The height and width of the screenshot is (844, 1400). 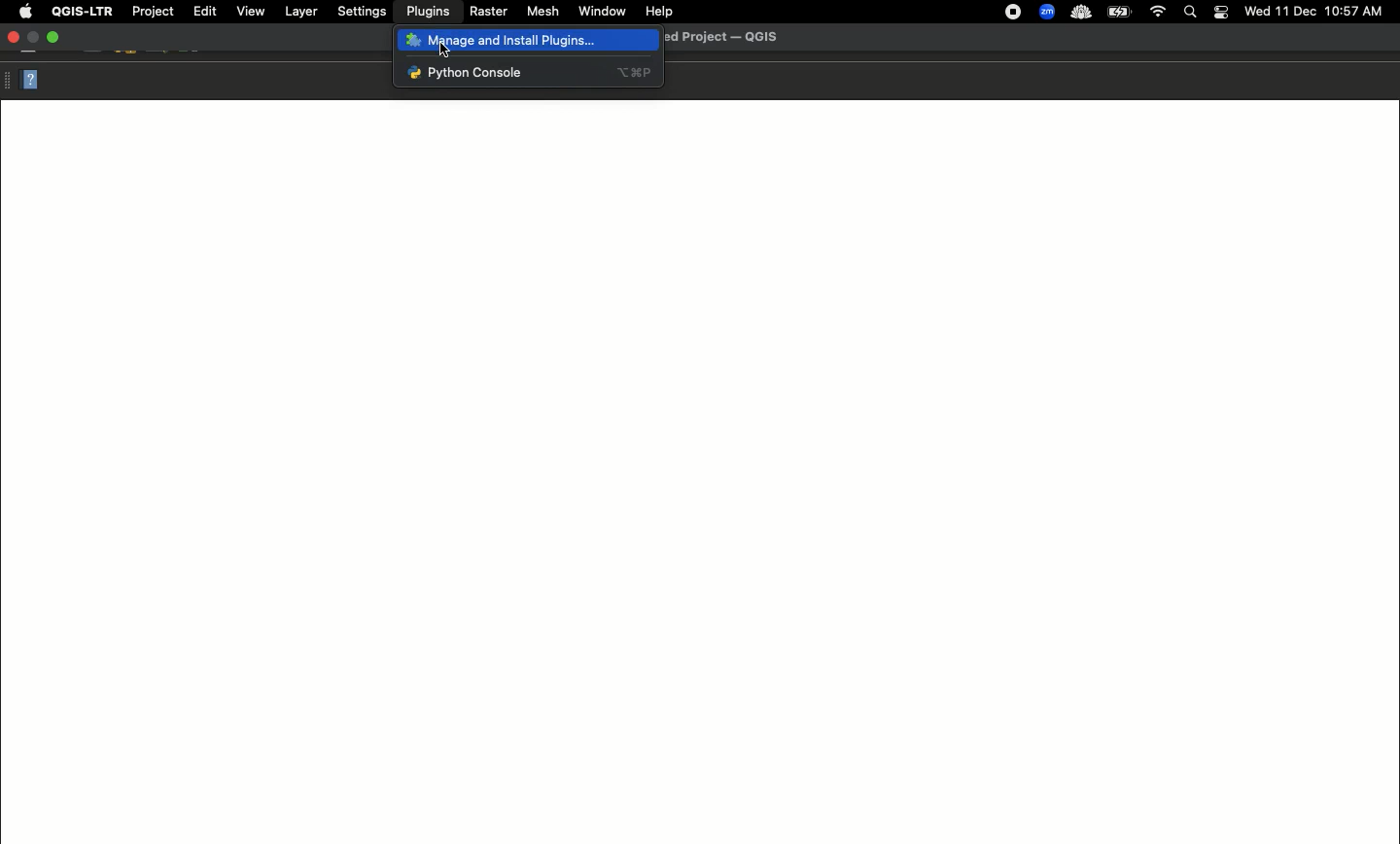 I want to click on Window, so click(x=601, y=11).